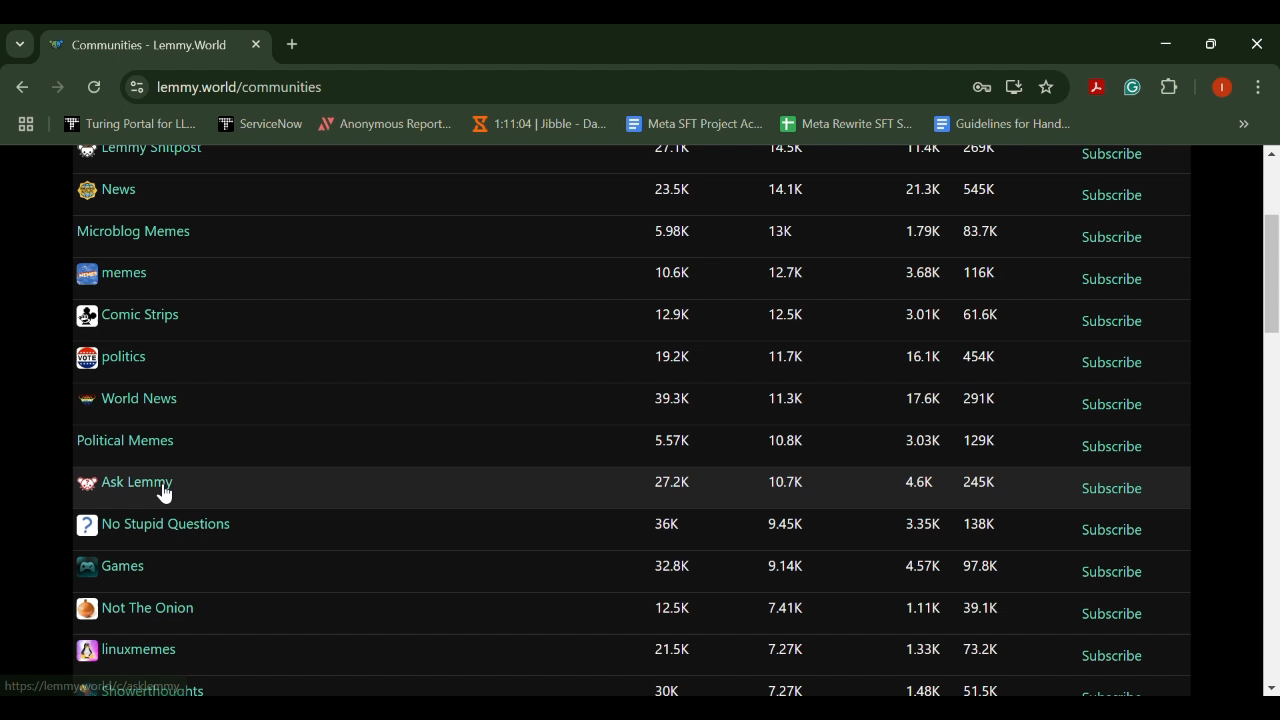  What do you see at coordinates (978, 608) in the screenshot?
I see `39.1K` at bounding box center [978, 608].